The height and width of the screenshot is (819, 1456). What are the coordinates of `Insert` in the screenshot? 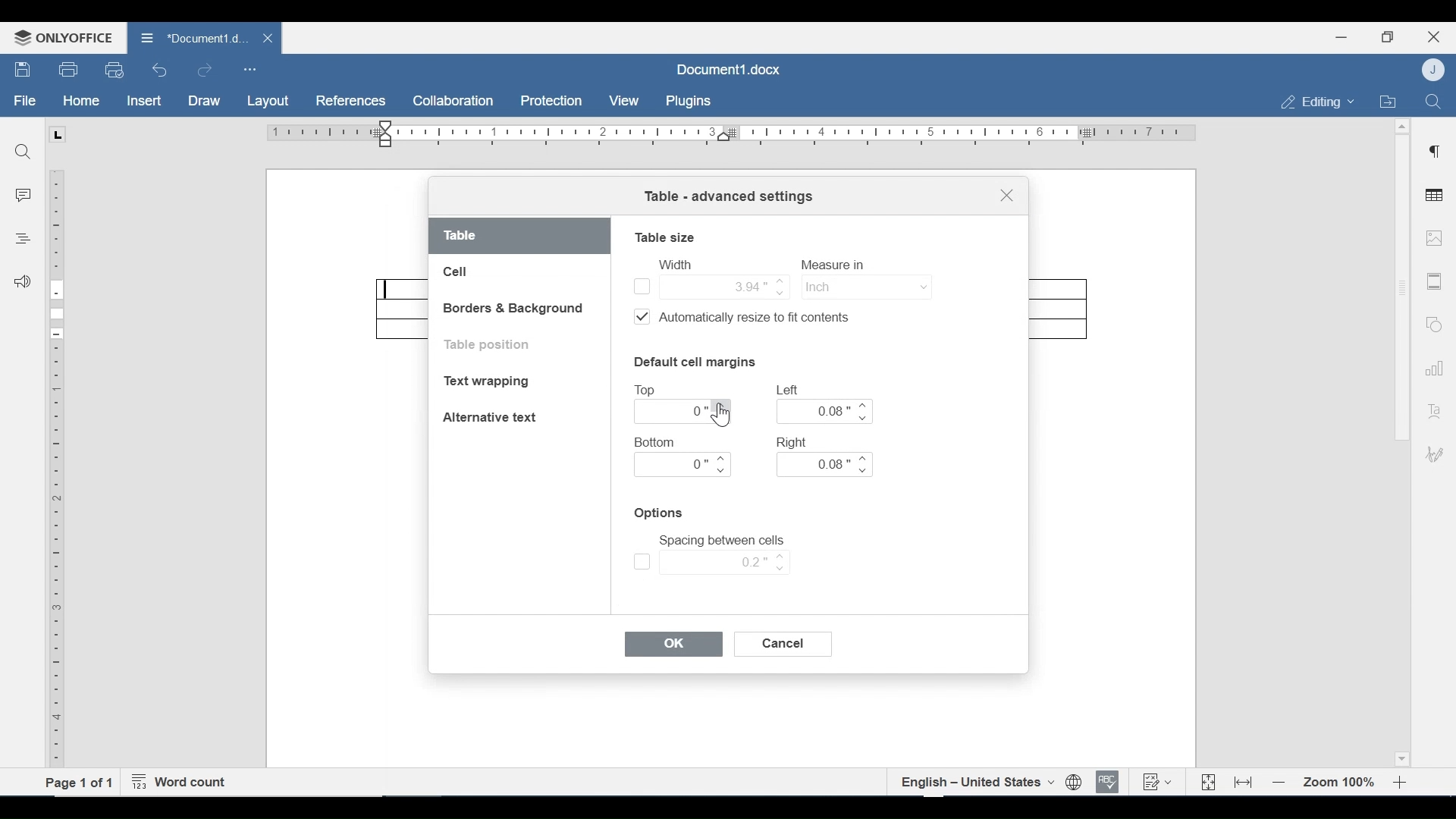 It's located at (143, 101).